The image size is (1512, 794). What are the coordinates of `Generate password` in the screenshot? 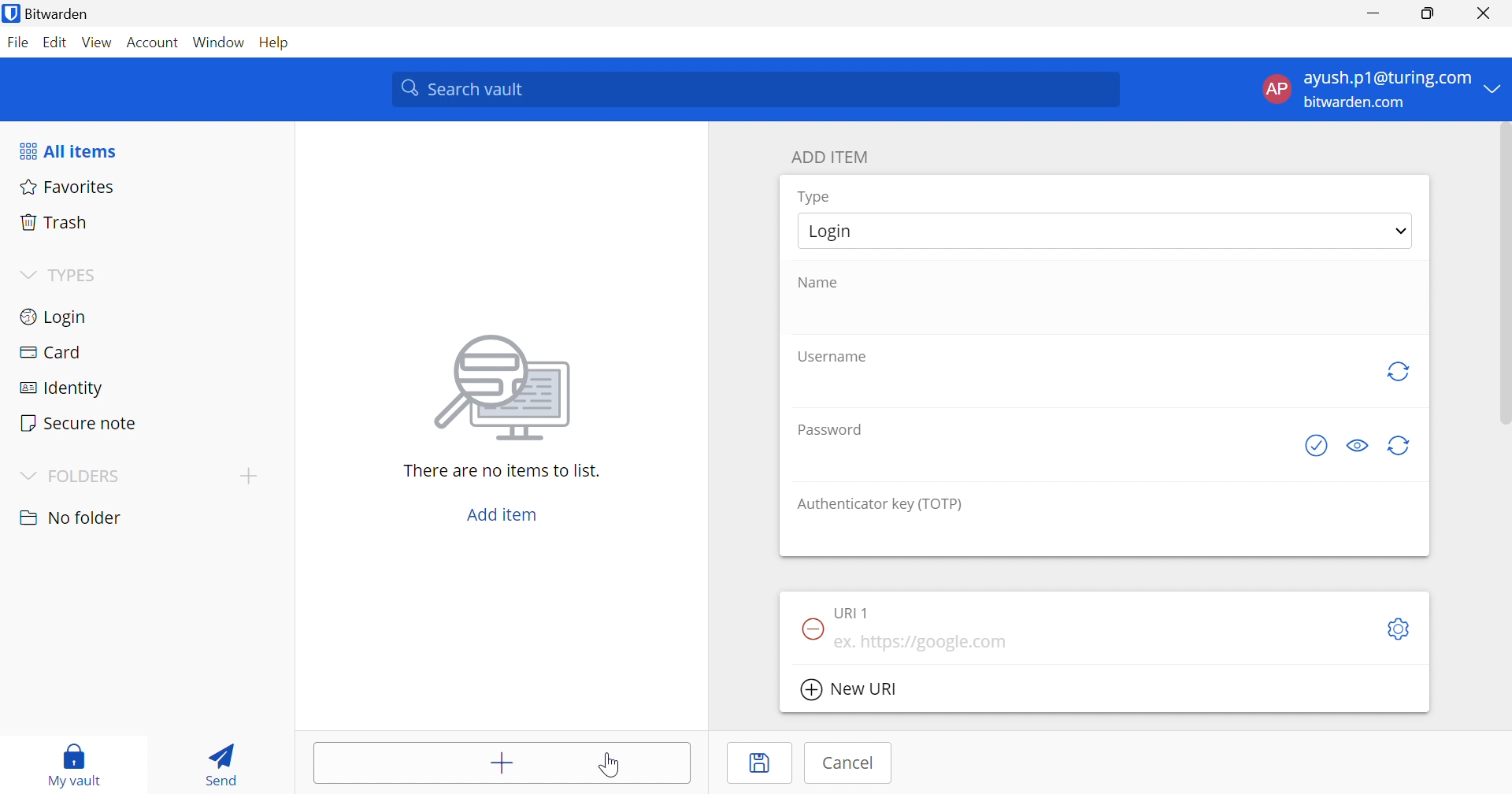 It's located at (1319, 447).